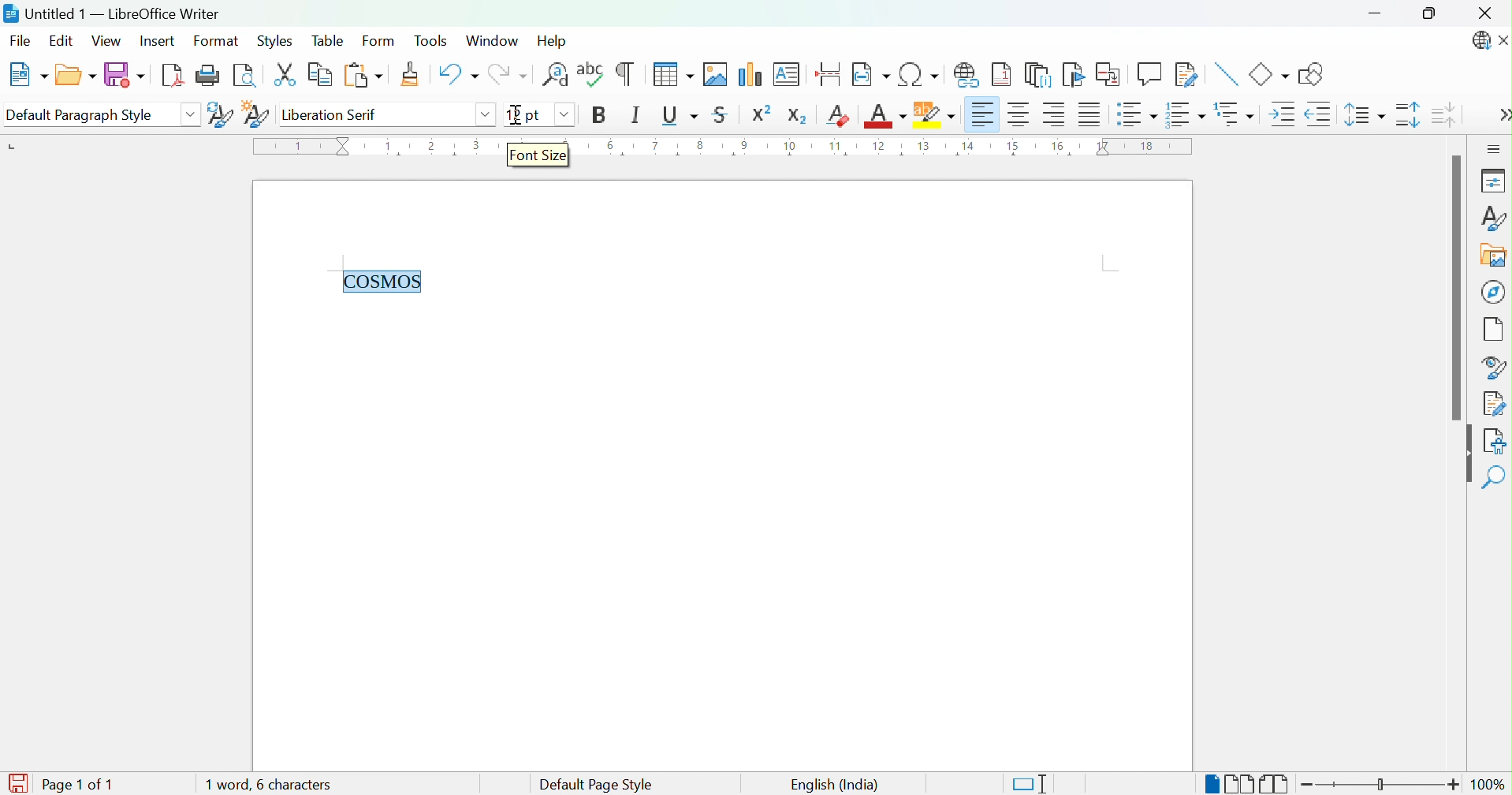 The height and width of the screenshot is (795, 1512). What do you see at coordinates (484, 114) in the screenshot?
I see `Drop down` at bounding box center [484, 114].